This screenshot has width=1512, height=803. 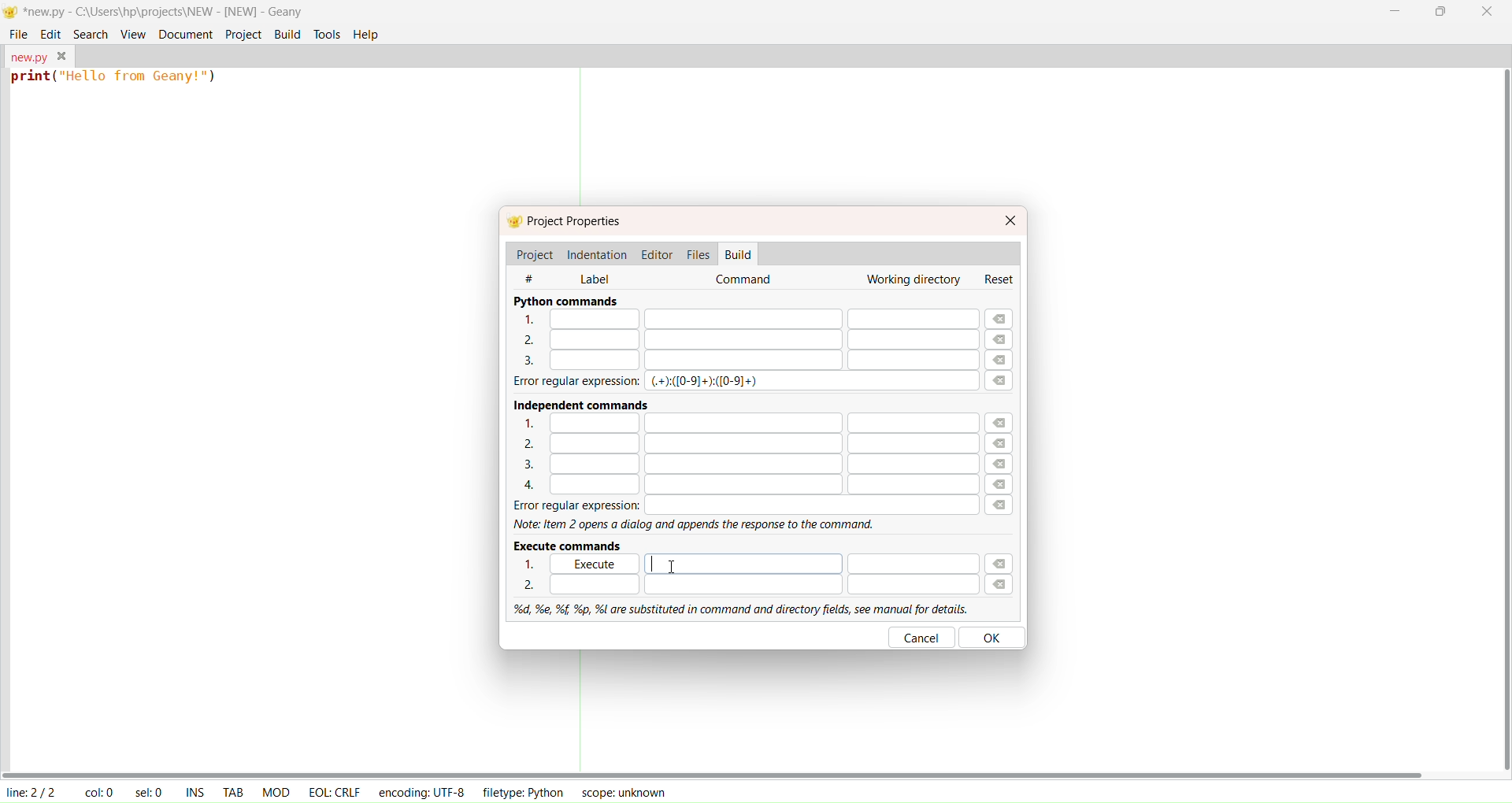 What do you see at coordinates (706, 382) in the screenshot?
I see `error type` at bounding box center [706, 382].